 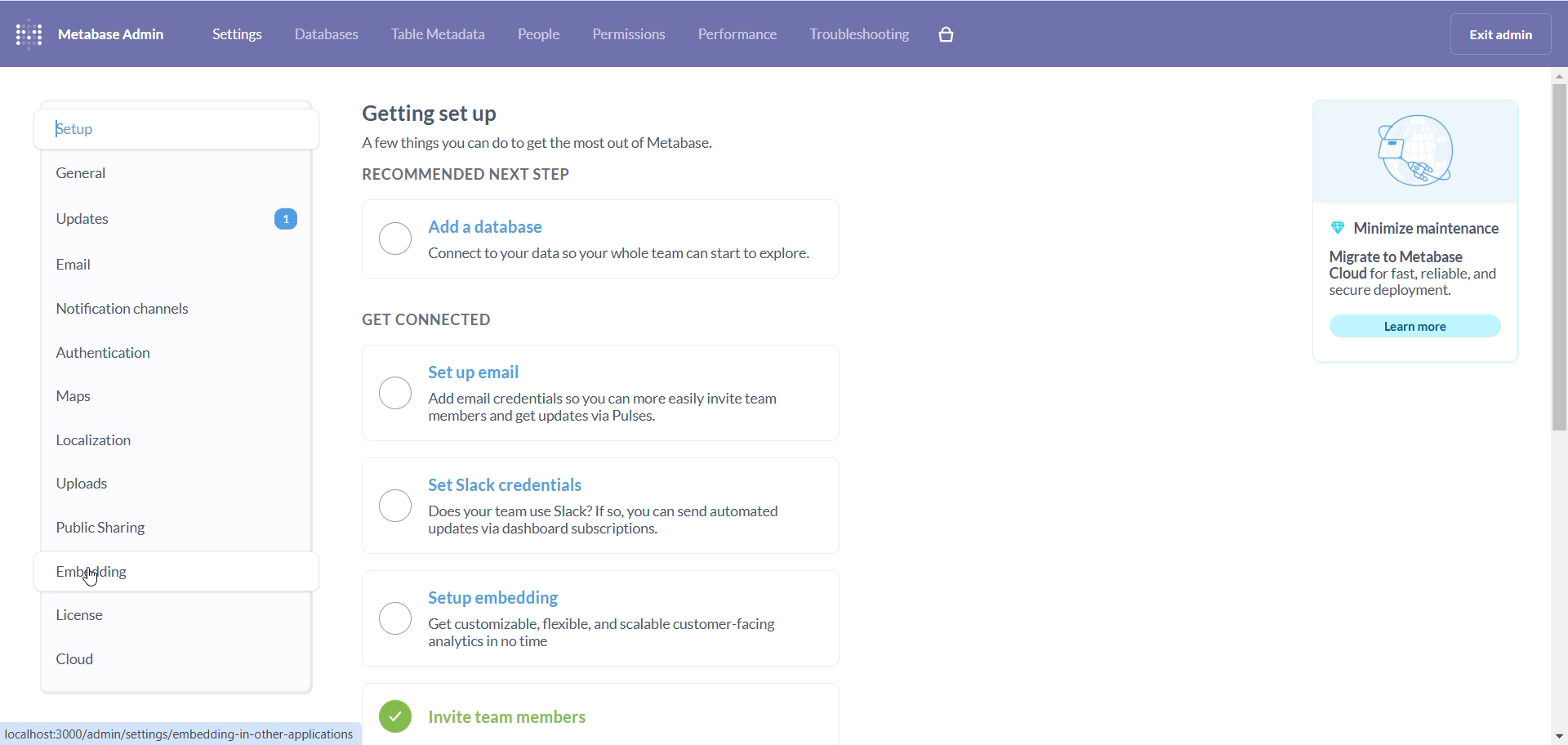 What do you see at coordinates (325, 34) in the screenshot?
I see `databases` at bounding box center [325, 34].